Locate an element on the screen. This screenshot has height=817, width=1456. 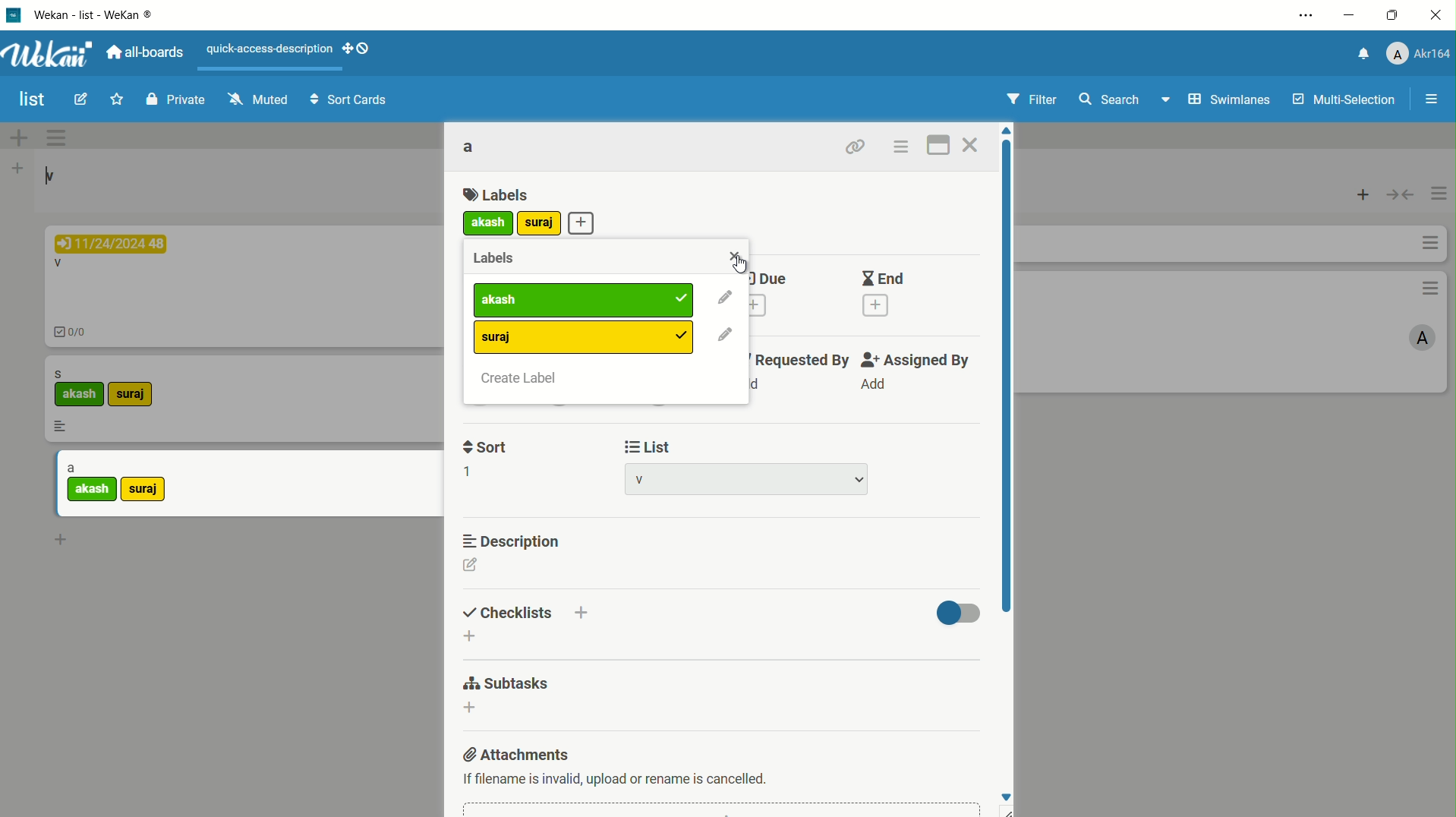
requested by is located at coordinates (802, 355).